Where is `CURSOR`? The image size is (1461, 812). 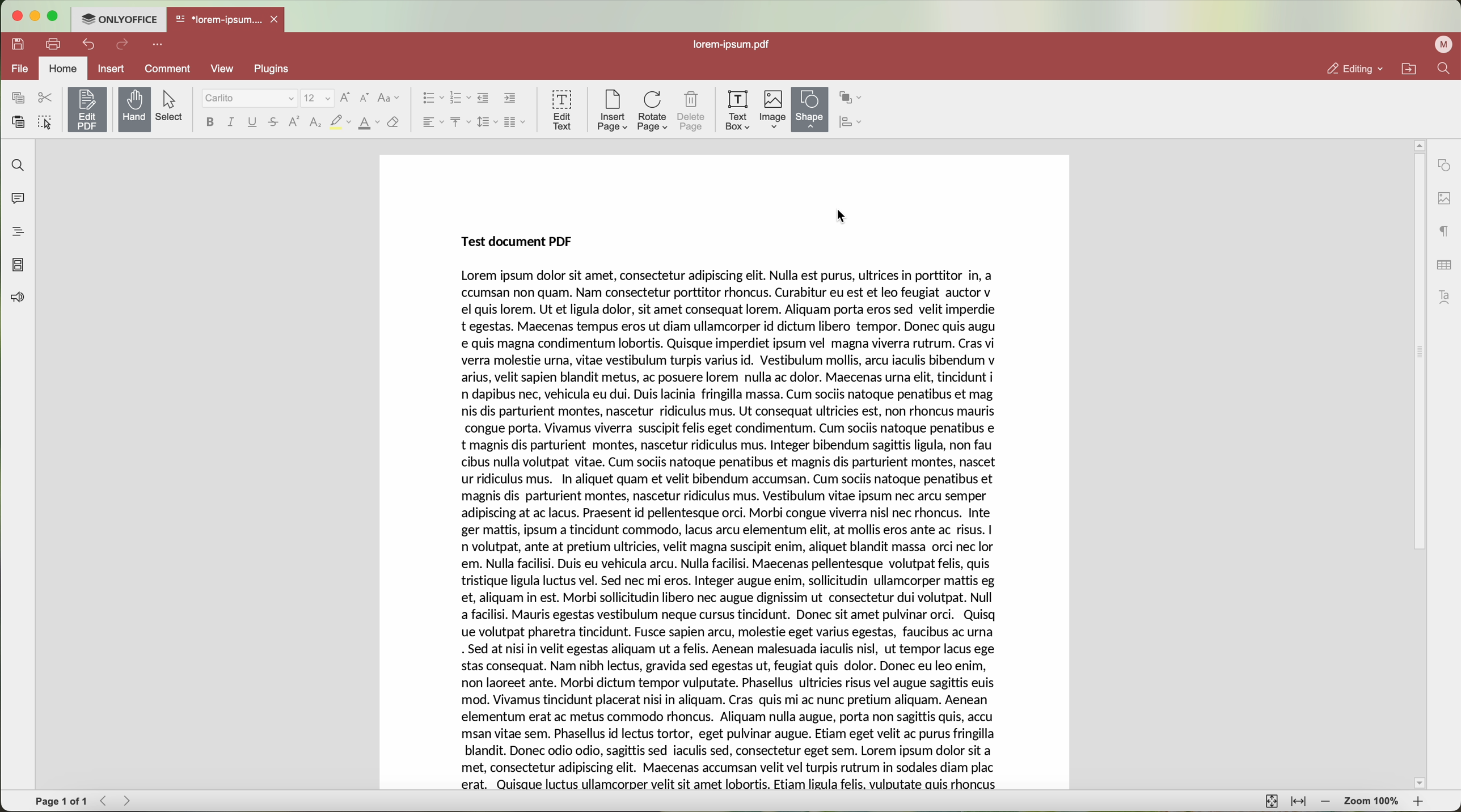 CURSOR is located at coordinates (840, 217).